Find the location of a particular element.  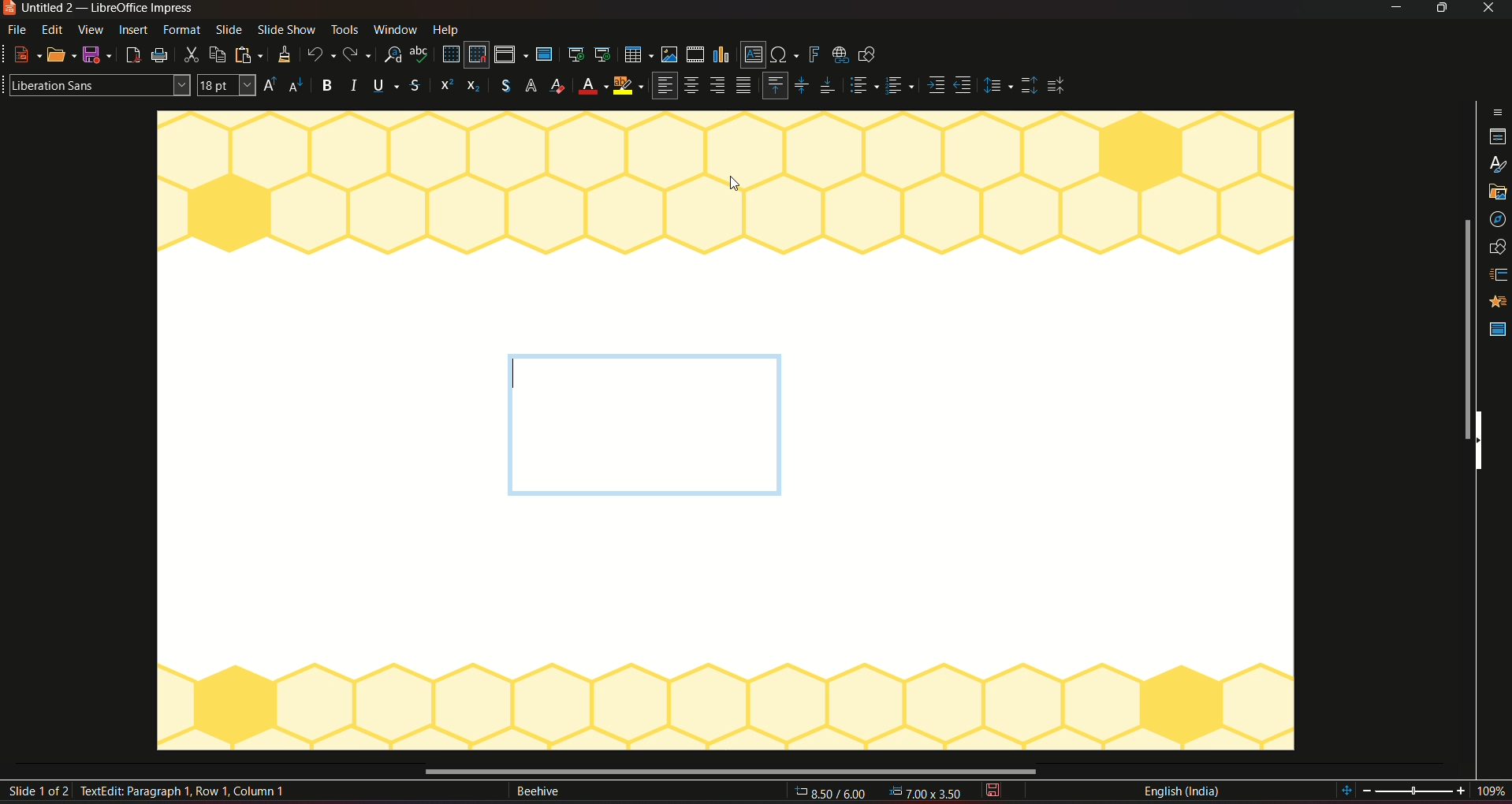

master slide is located at coordinates (1498, 300).